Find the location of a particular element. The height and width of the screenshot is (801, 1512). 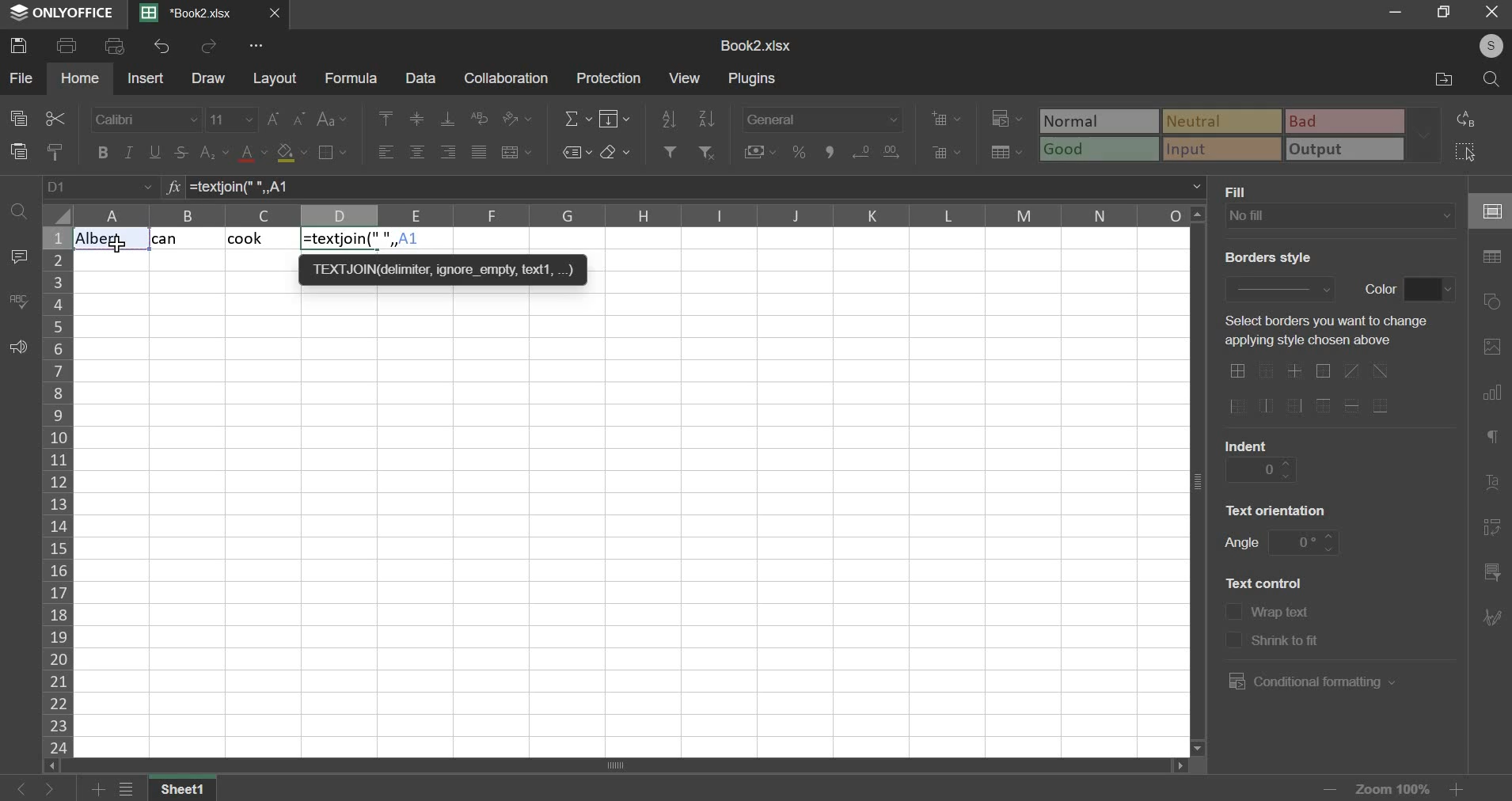

cursor is located at coordinates (120, 247).